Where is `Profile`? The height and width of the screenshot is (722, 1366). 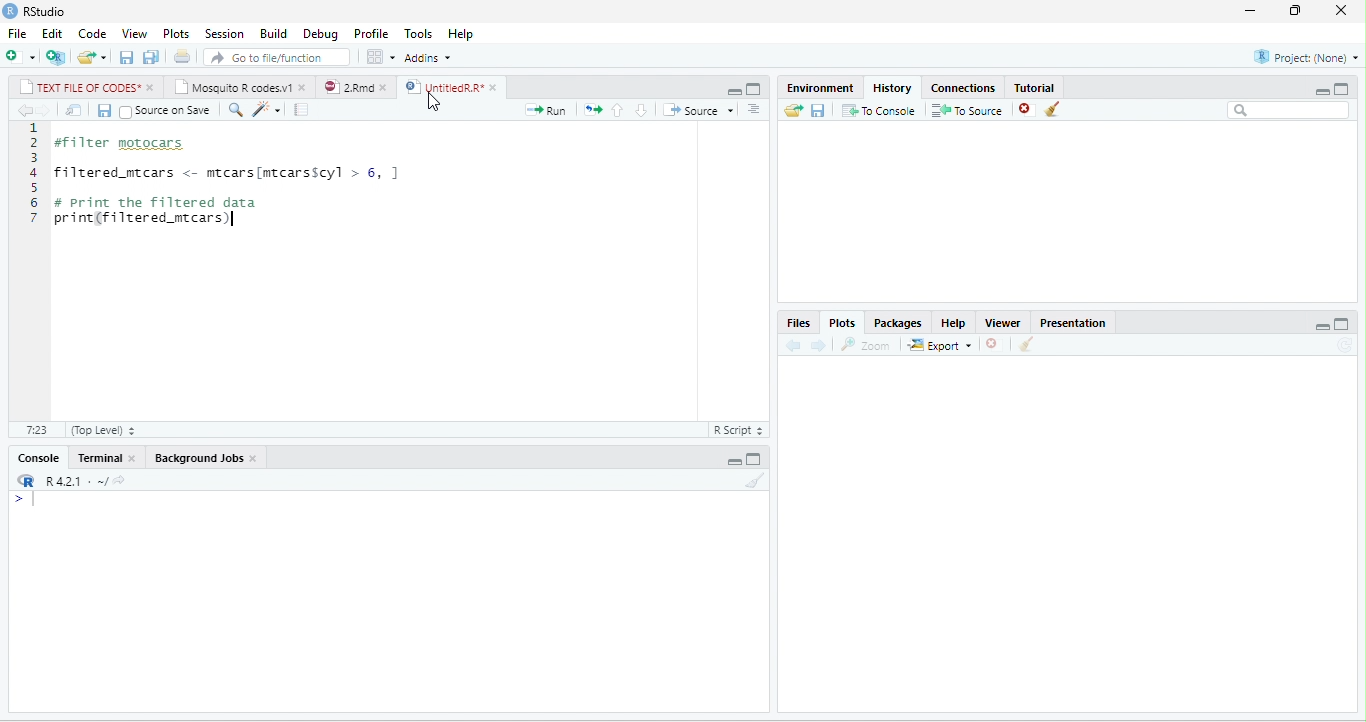 Profile is located at coordinates (371, 34).